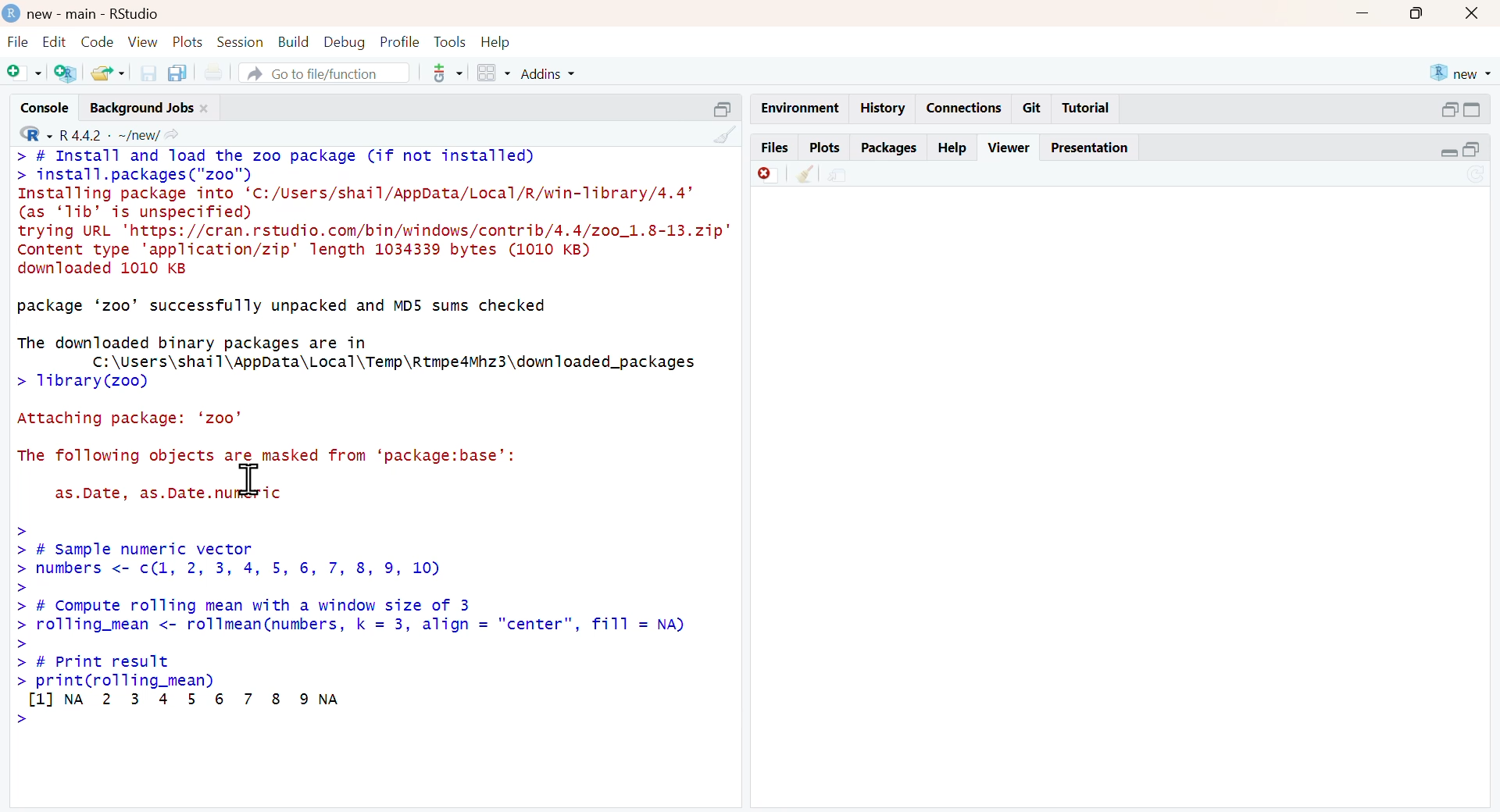 This screenshot has width=1500, height=812. I want to click on share icon, so click(173, 134).